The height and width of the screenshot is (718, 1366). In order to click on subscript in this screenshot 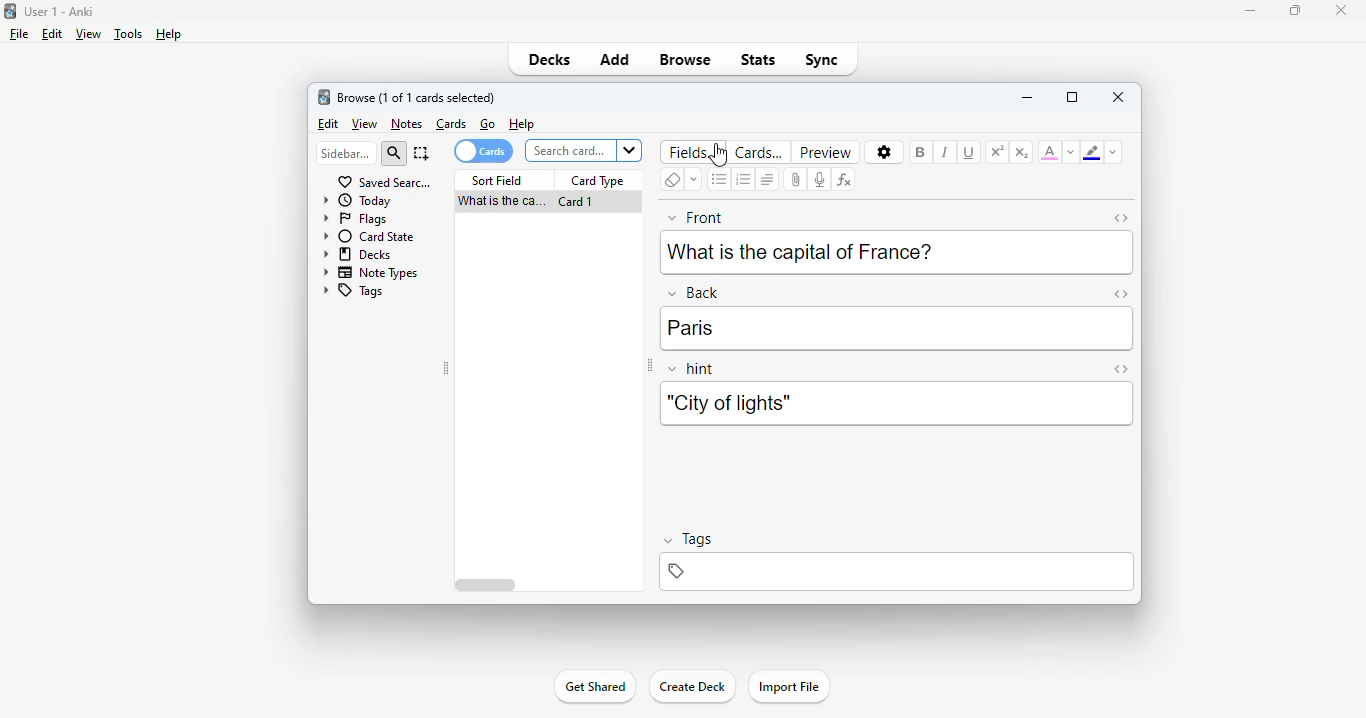, I will do `click(1021, 152)`.